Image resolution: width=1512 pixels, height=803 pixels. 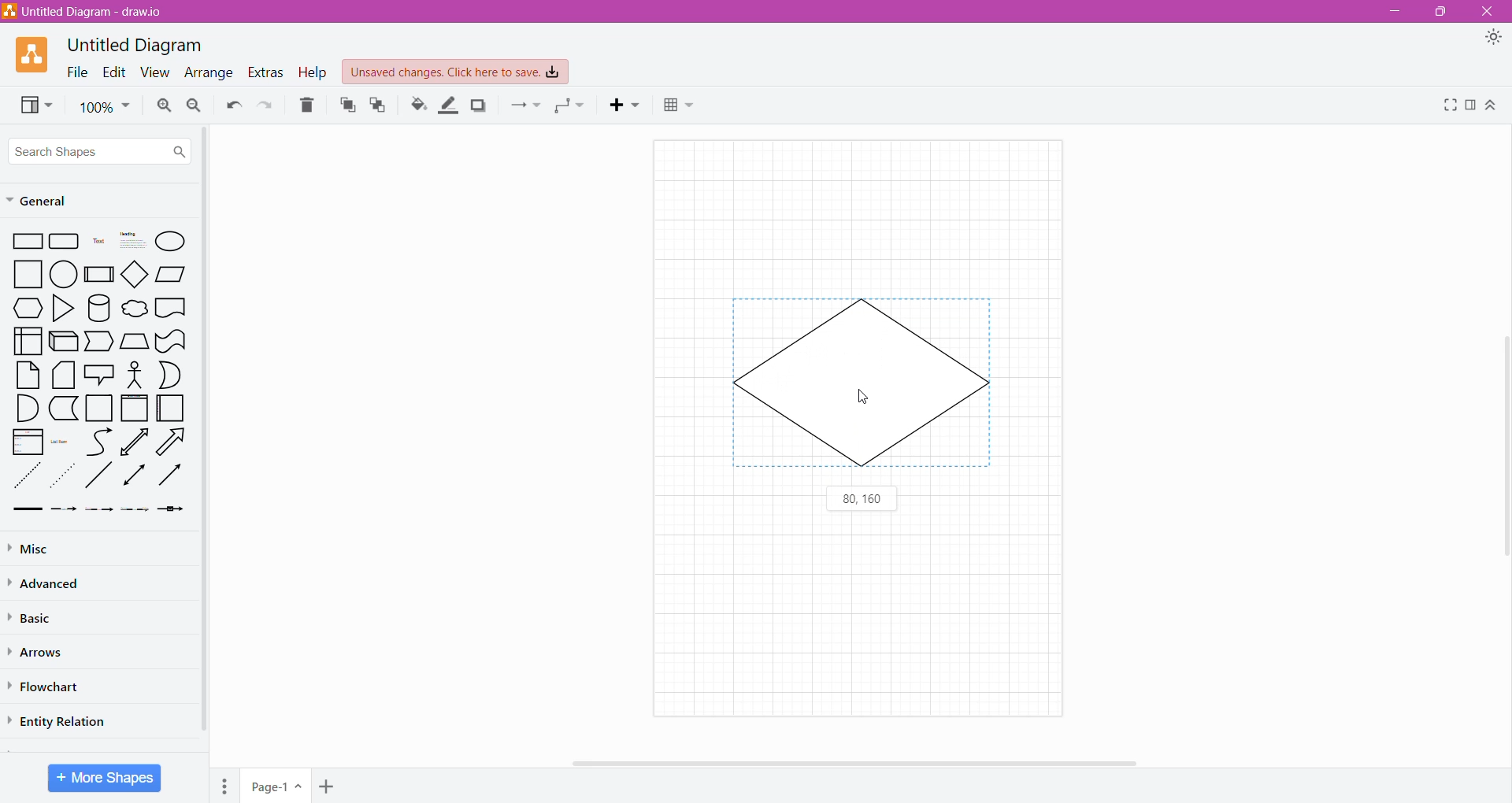 I want to click on Step, so click(x=98, y=342).